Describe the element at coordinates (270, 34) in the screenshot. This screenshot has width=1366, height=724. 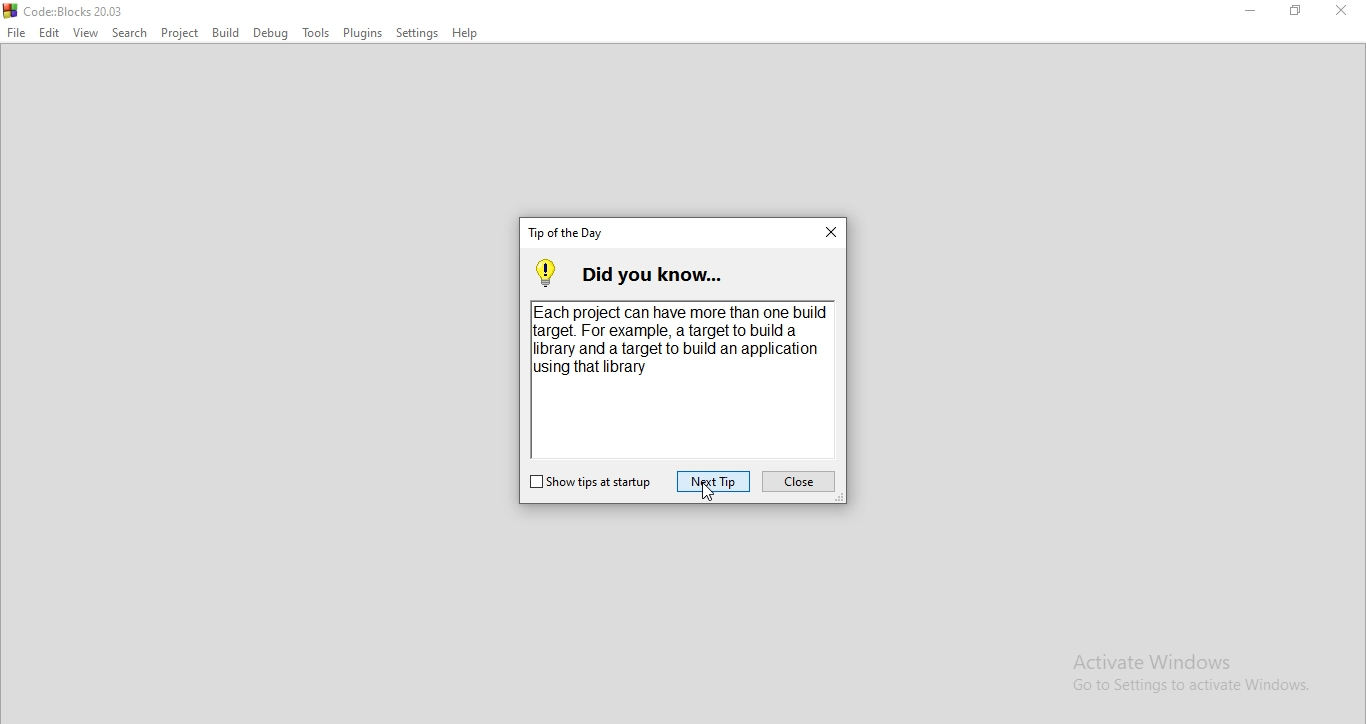
I see `Debug ` at that location.